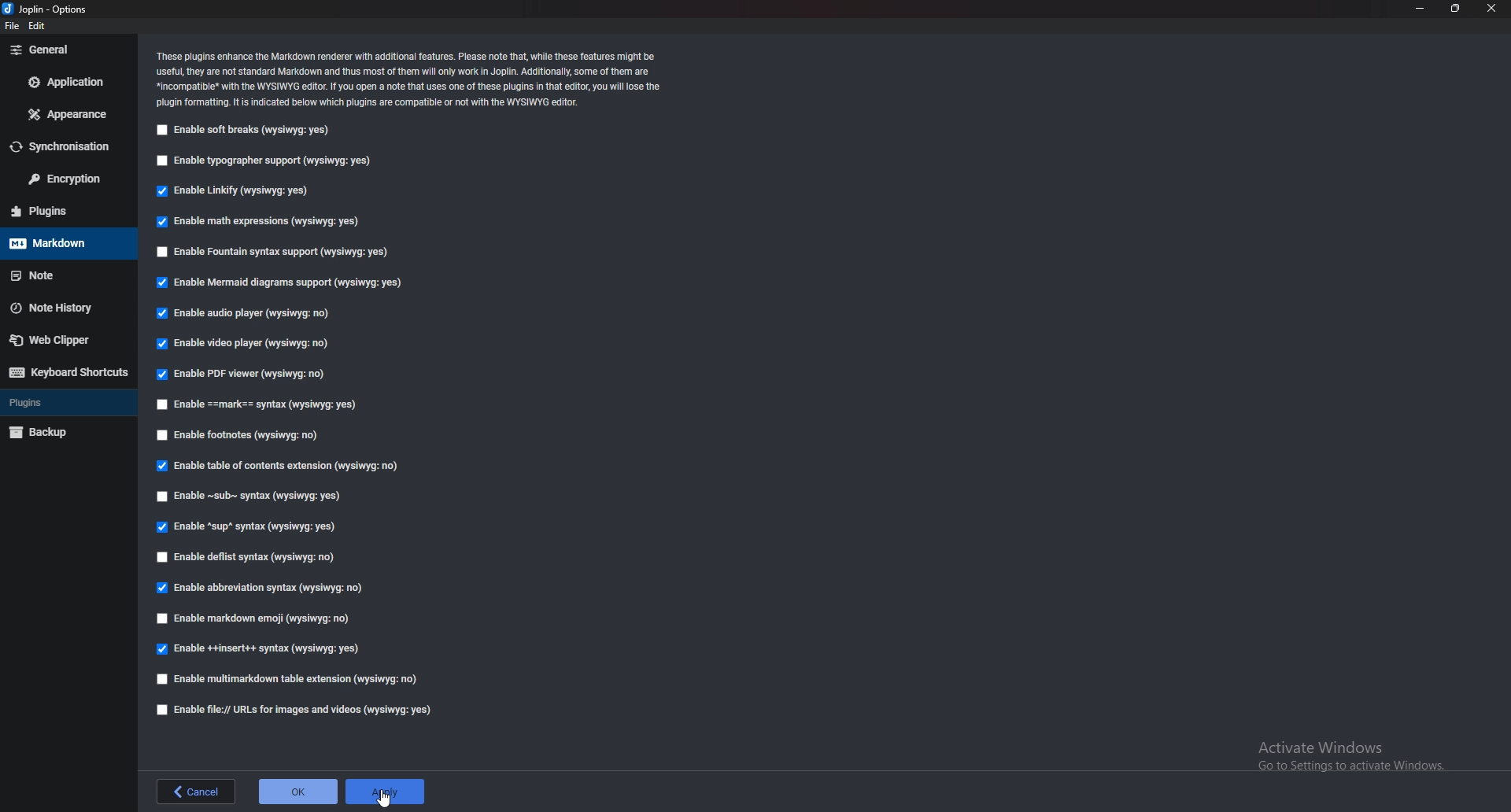  I want to click on back, so click(197, 792).